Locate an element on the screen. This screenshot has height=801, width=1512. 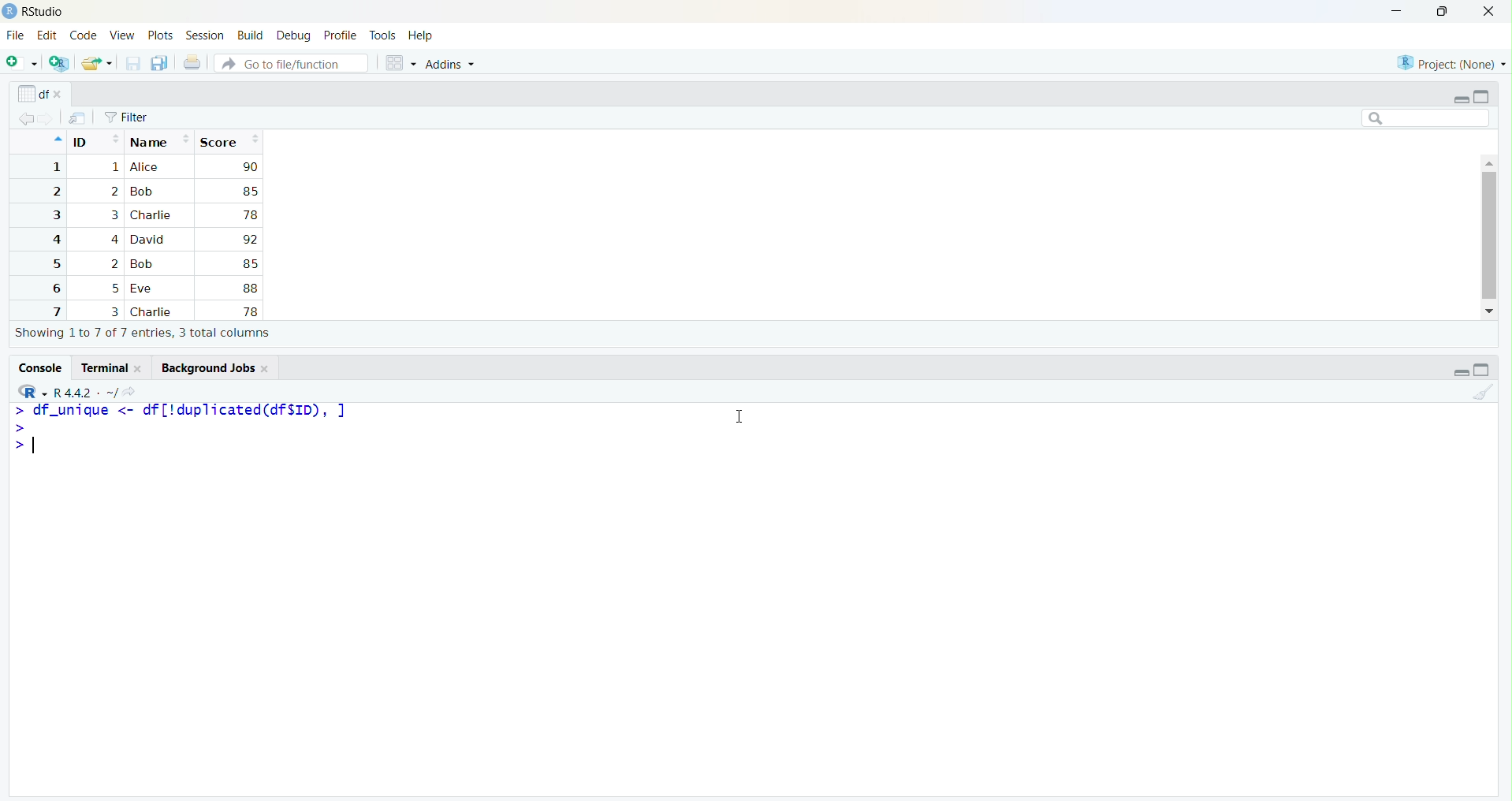
terminal is located at coordinates (102, 368).